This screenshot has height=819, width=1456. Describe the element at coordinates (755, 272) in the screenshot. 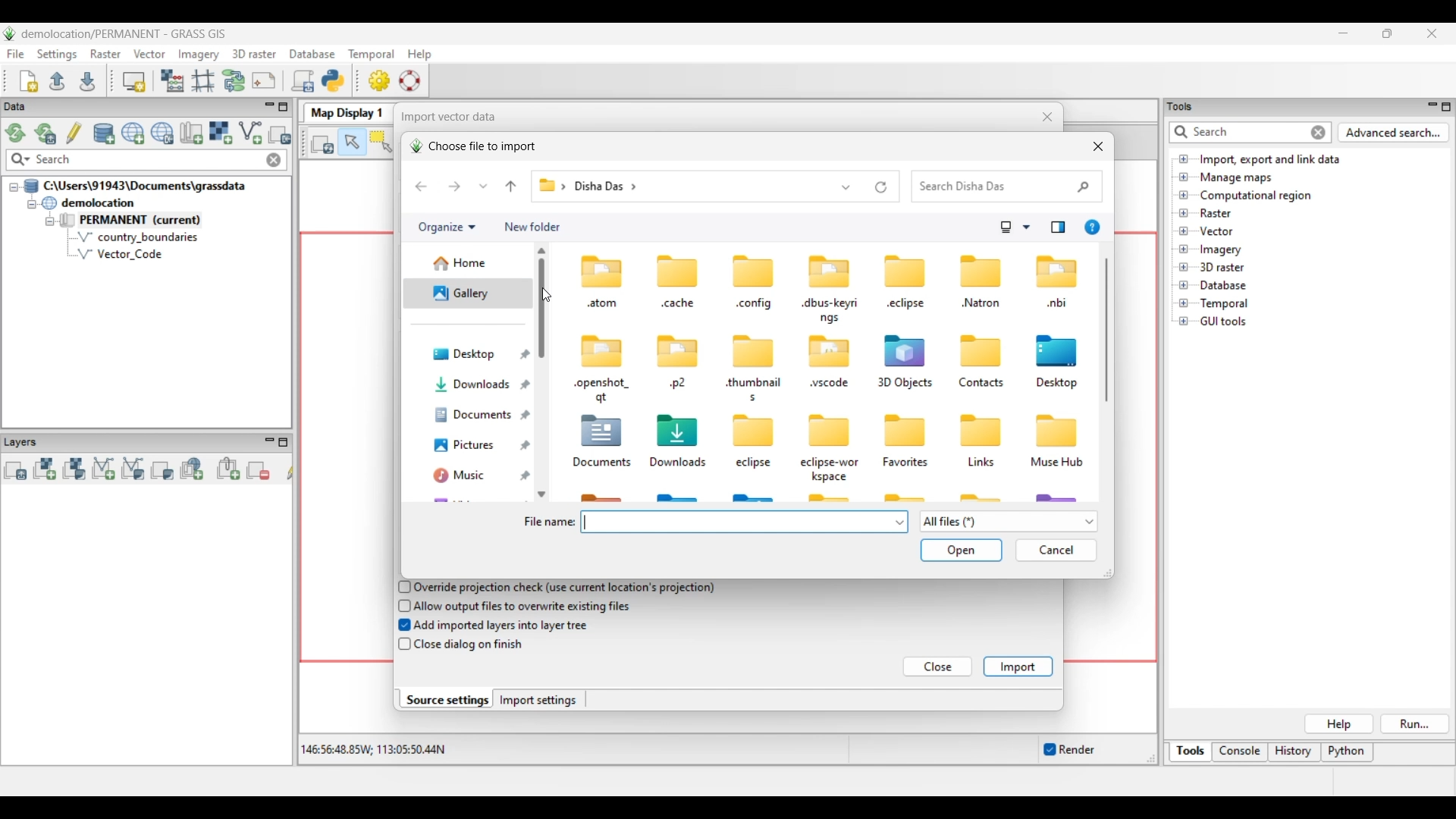

I see `icon` at that location.